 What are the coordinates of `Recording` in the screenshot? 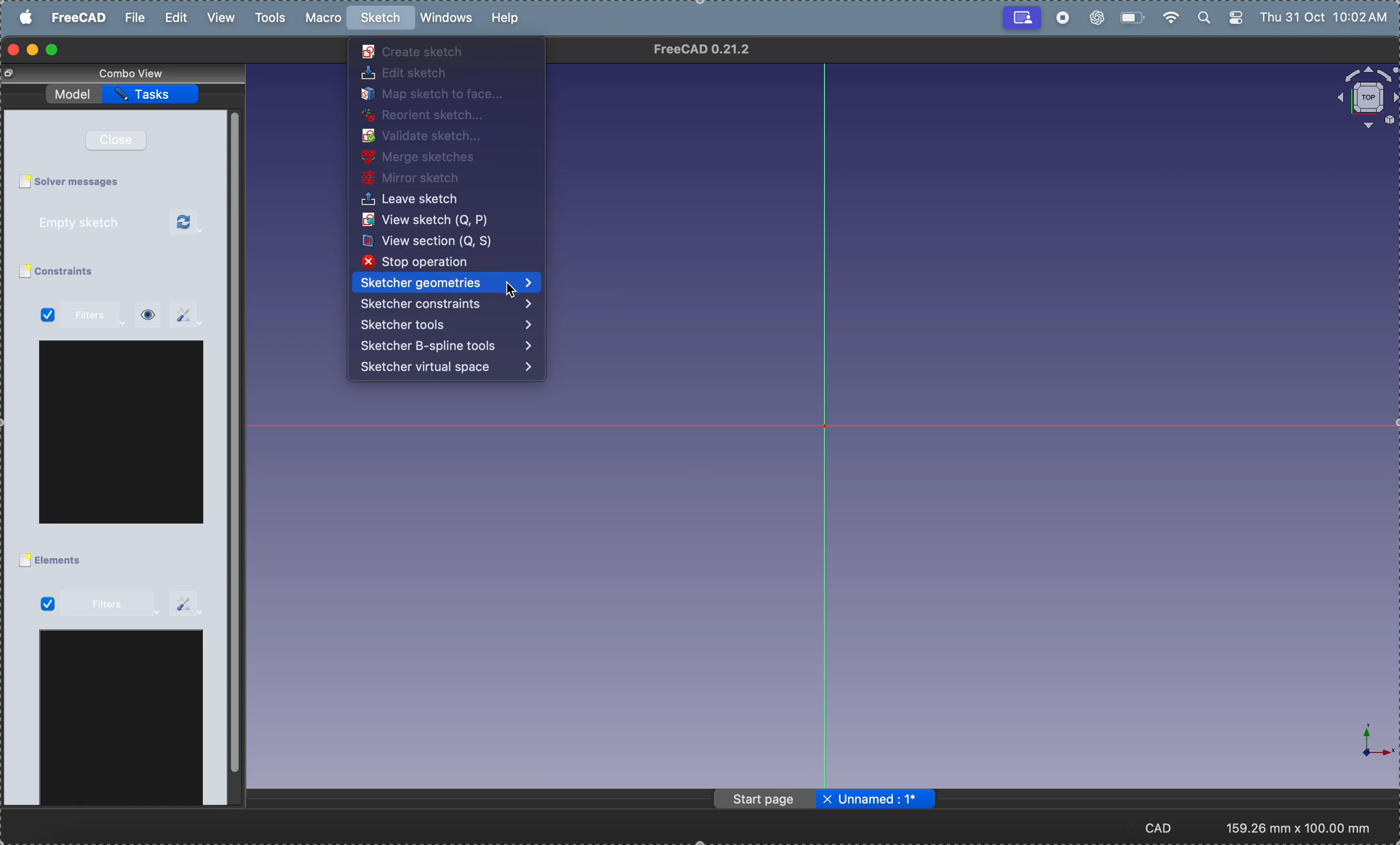 It's located at (1022, 16).